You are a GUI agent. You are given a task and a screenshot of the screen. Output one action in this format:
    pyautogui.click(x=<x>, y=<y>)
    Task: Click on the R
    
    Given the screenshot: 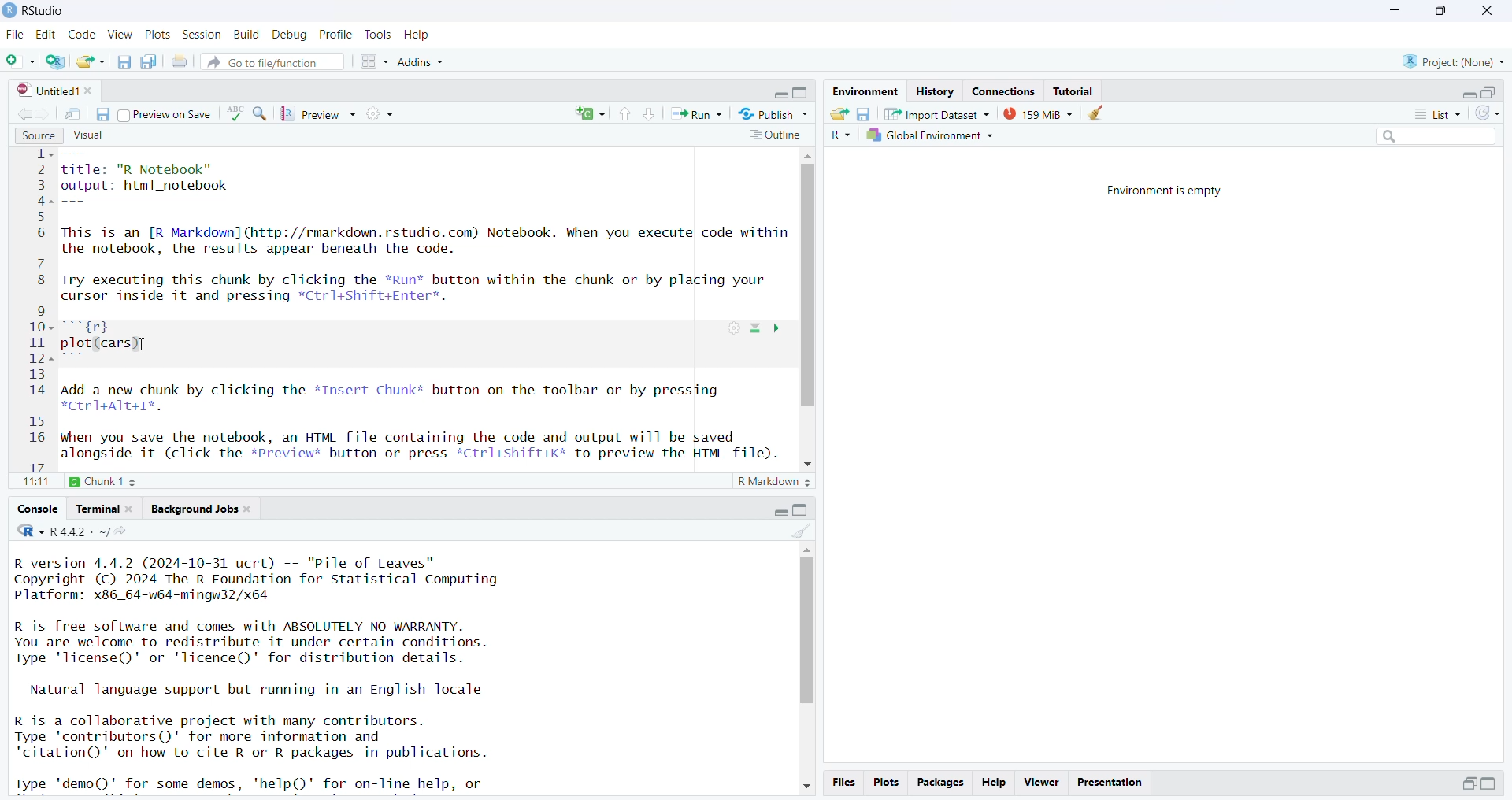 What is the action you would take?
    pyautogui.click(x=838, y=136)
    